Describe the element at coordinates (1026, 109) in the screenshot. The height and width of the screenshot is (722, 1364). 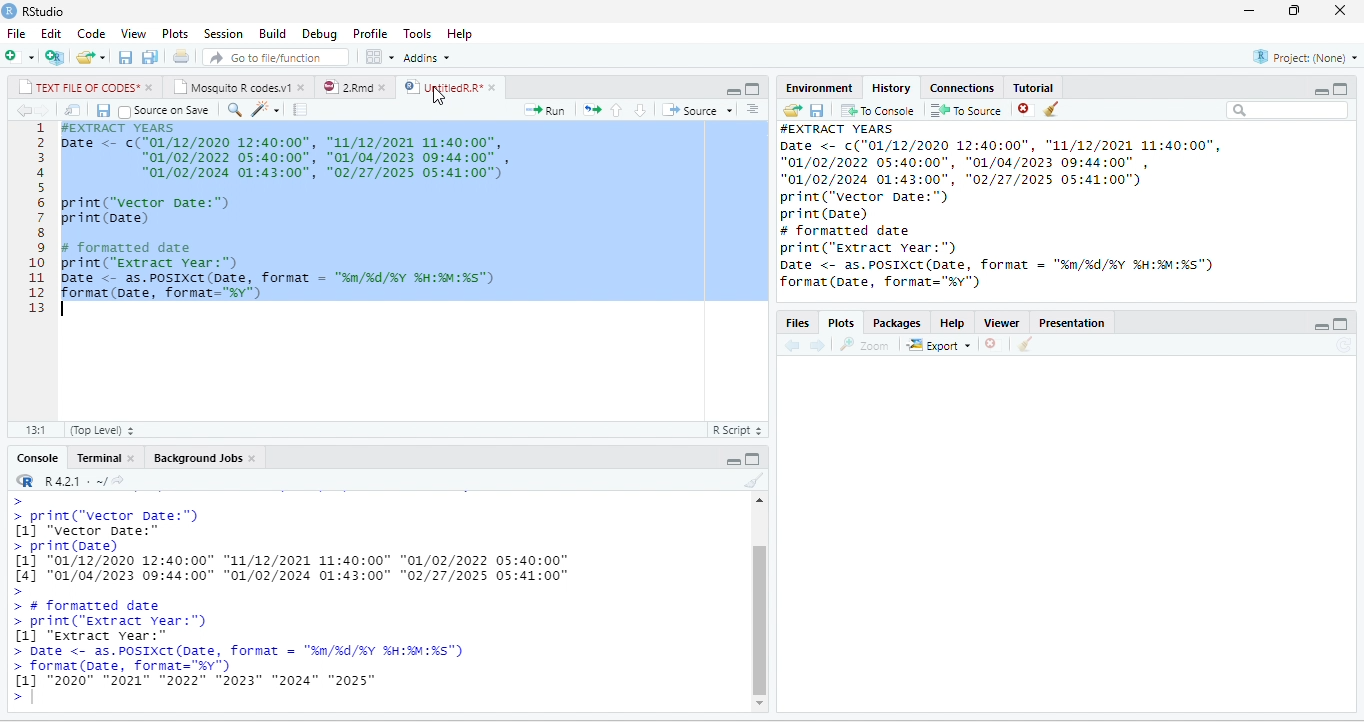
I see `close file` at that location.